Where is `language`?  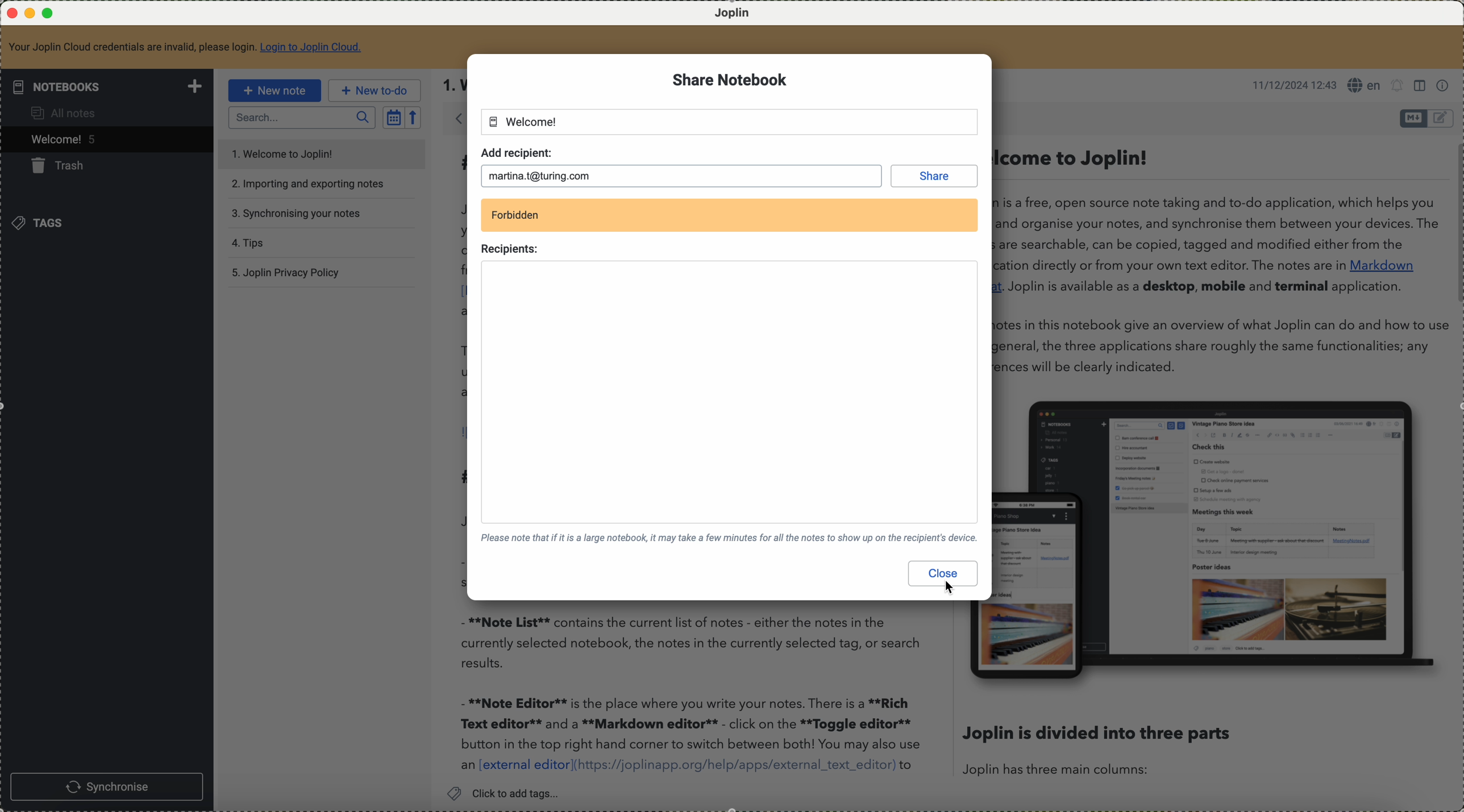 language is located at coordinates (1364, 85).